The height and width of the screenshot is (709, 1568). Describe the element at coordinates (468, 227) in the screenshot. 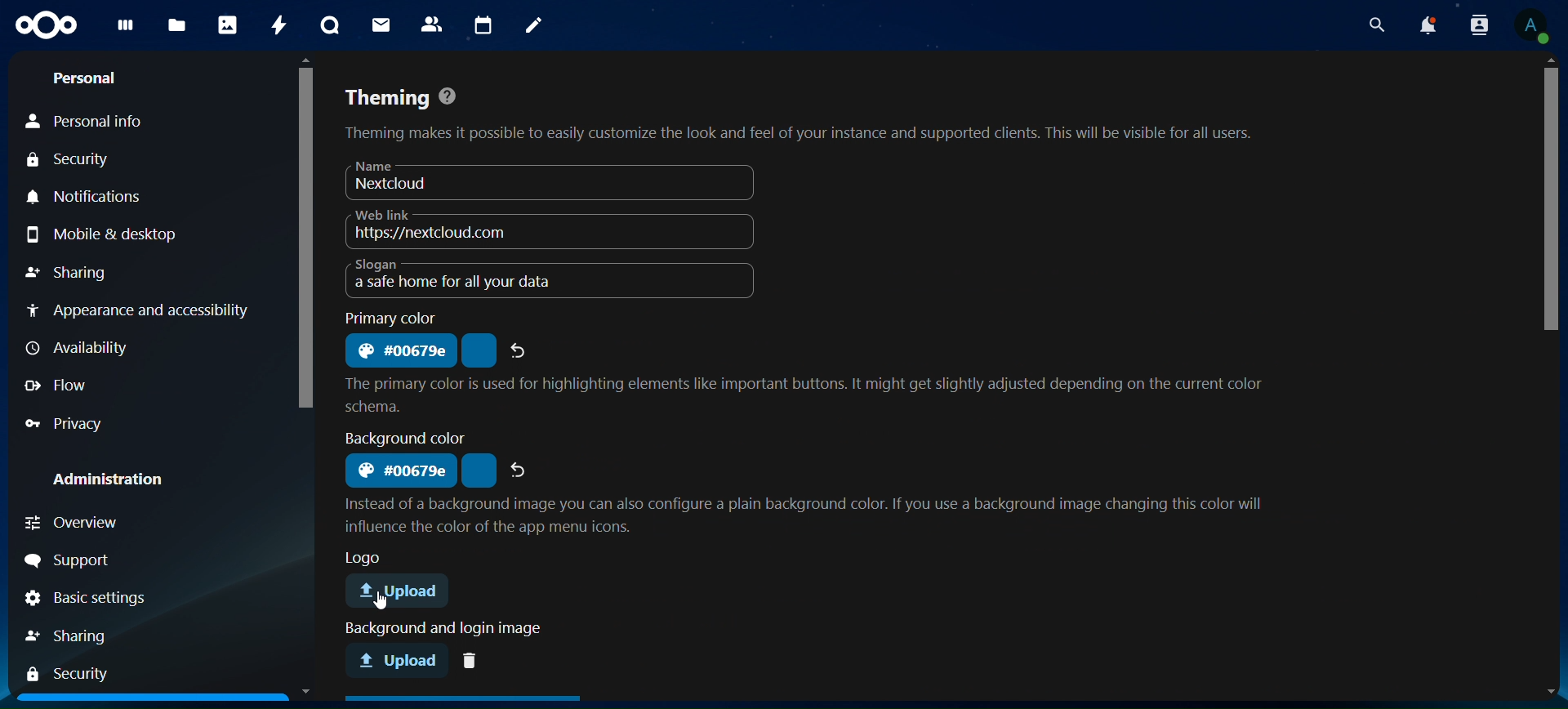

I see `web link` at that location.